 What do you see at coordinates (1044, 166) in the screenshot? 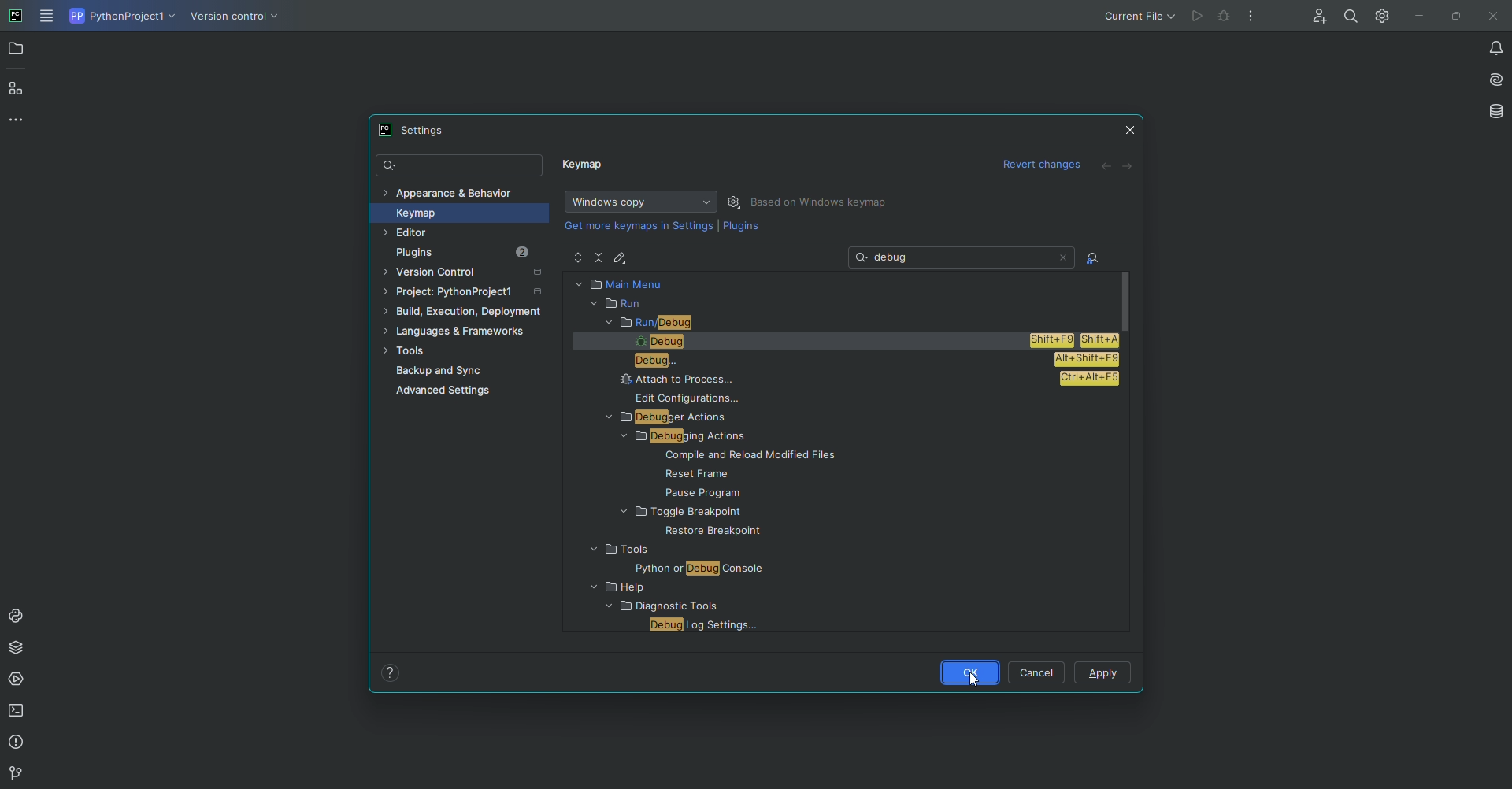
I see `revert changes` at bounding box center [1044, 166].